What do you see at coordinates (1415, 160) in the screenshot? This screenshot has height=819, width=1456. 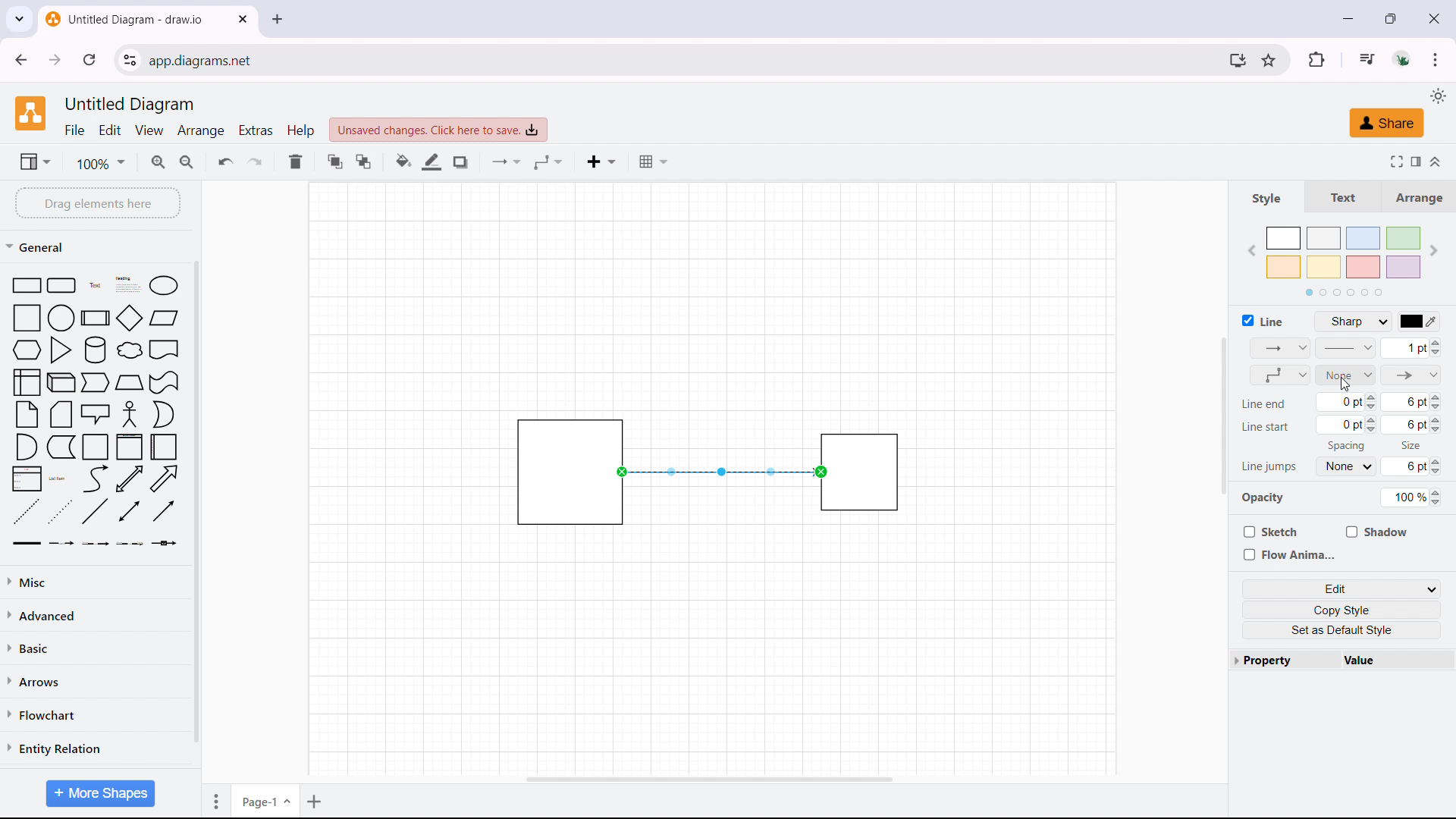 I see `format` at bounding box center [1415, 160].